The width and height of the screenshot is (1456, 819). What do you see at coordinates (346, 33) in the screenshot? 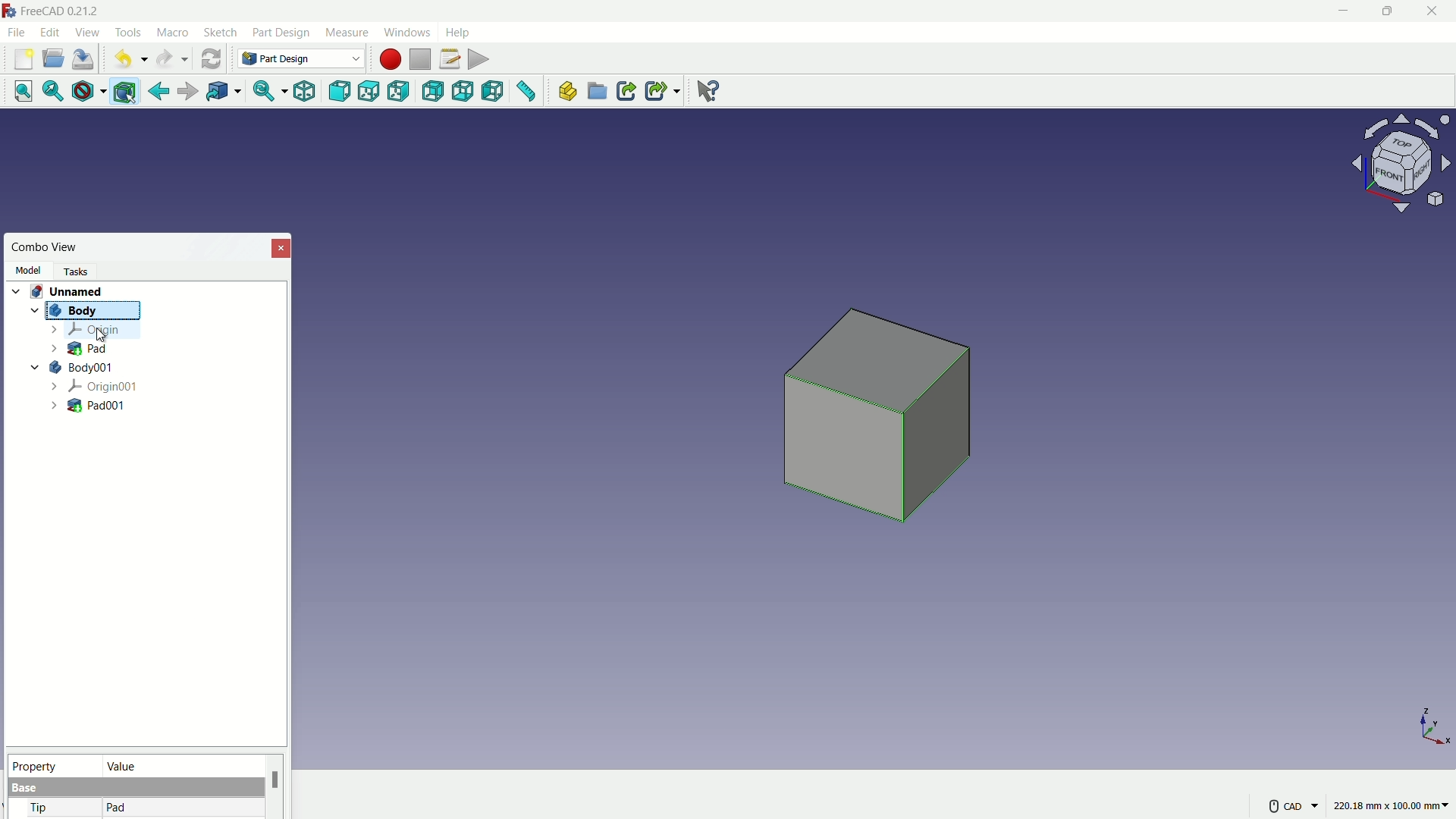
I see `measure` at bounding box center [346, 33].